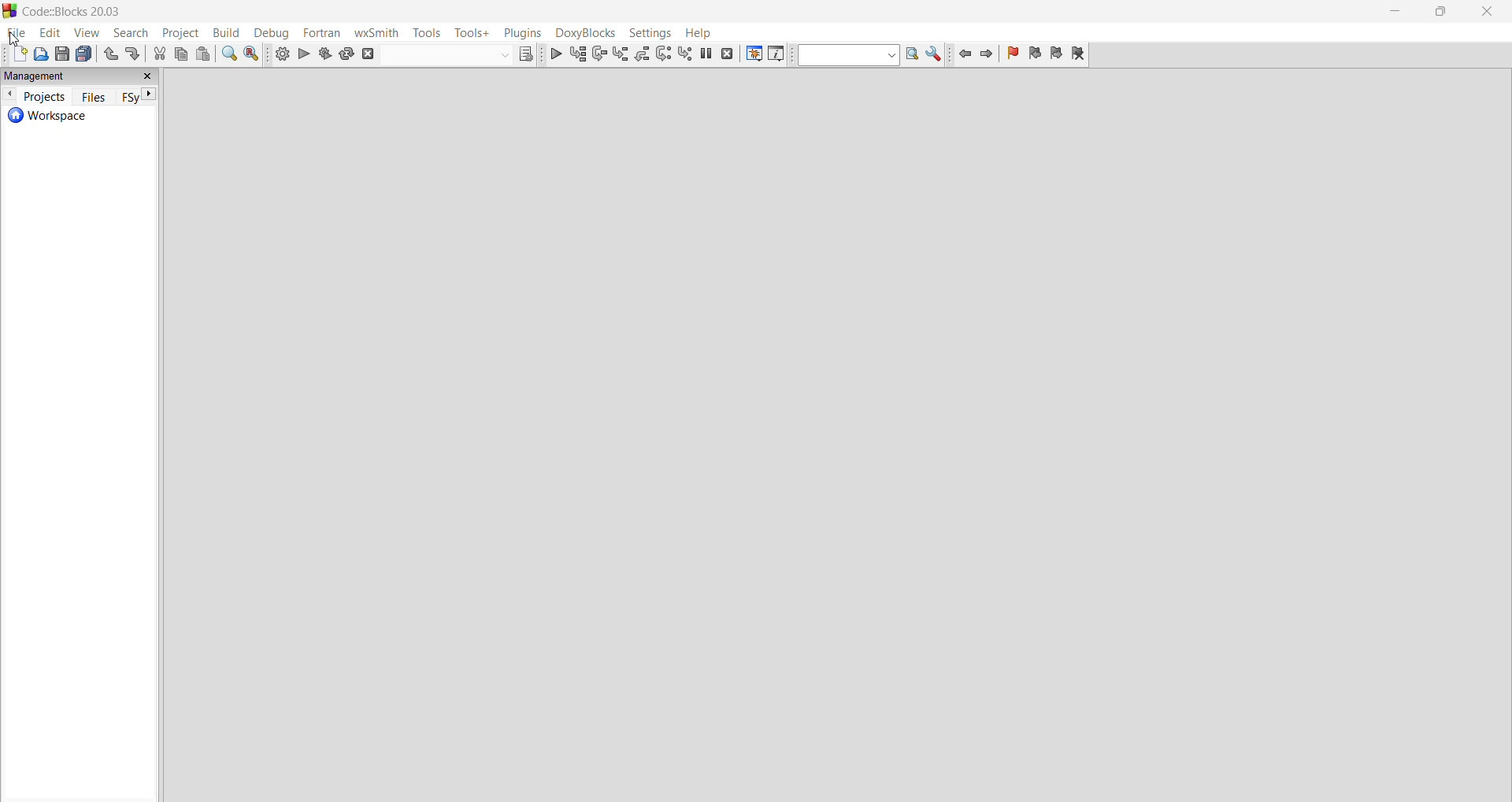  What do you see at coordinates (282, 56) in the screenshot?
I see `build` at bounding box center [282, 56].